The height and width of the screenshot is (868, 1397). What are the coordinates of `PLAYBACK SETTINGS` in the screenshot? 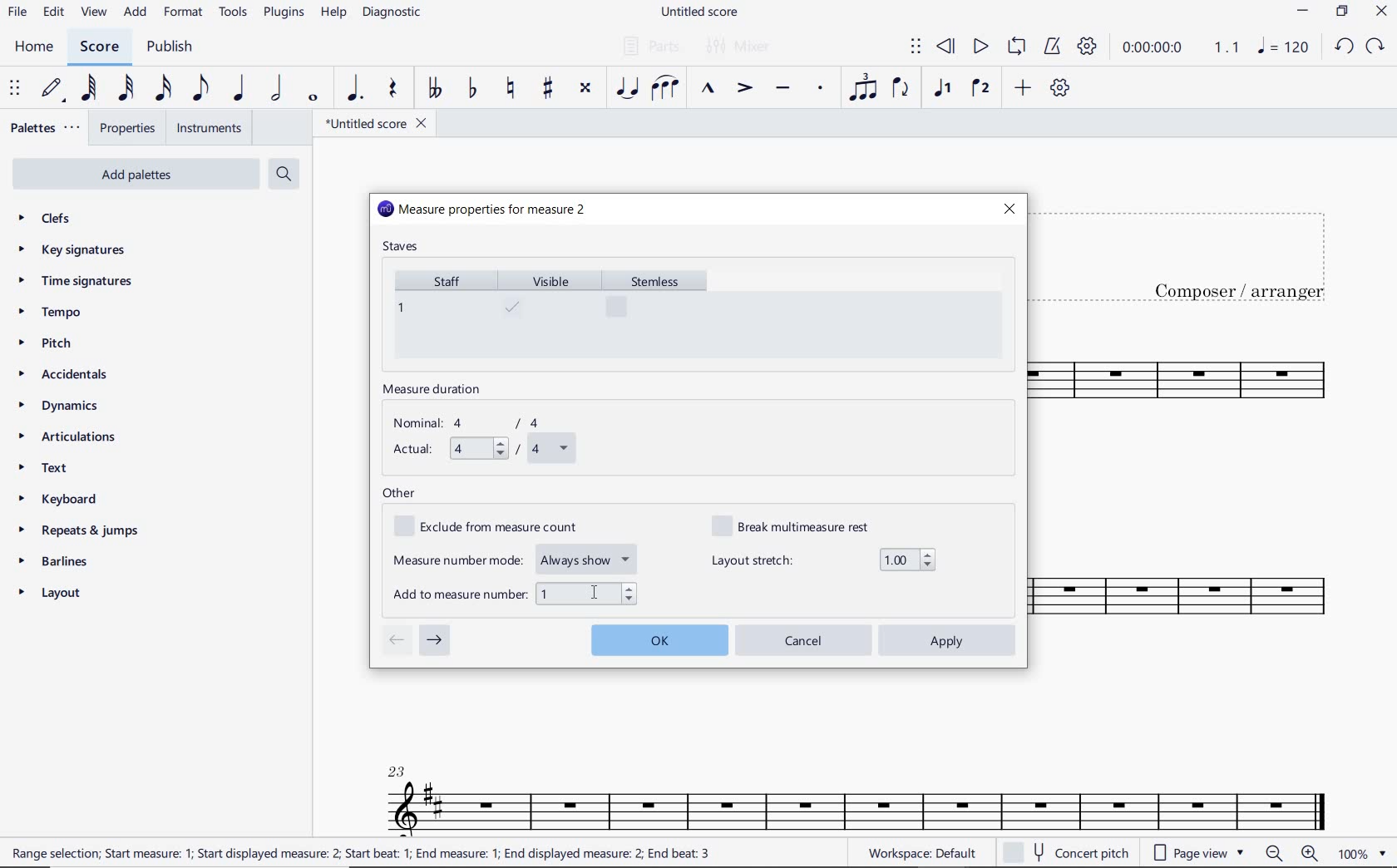 It's located at (1087, 47).